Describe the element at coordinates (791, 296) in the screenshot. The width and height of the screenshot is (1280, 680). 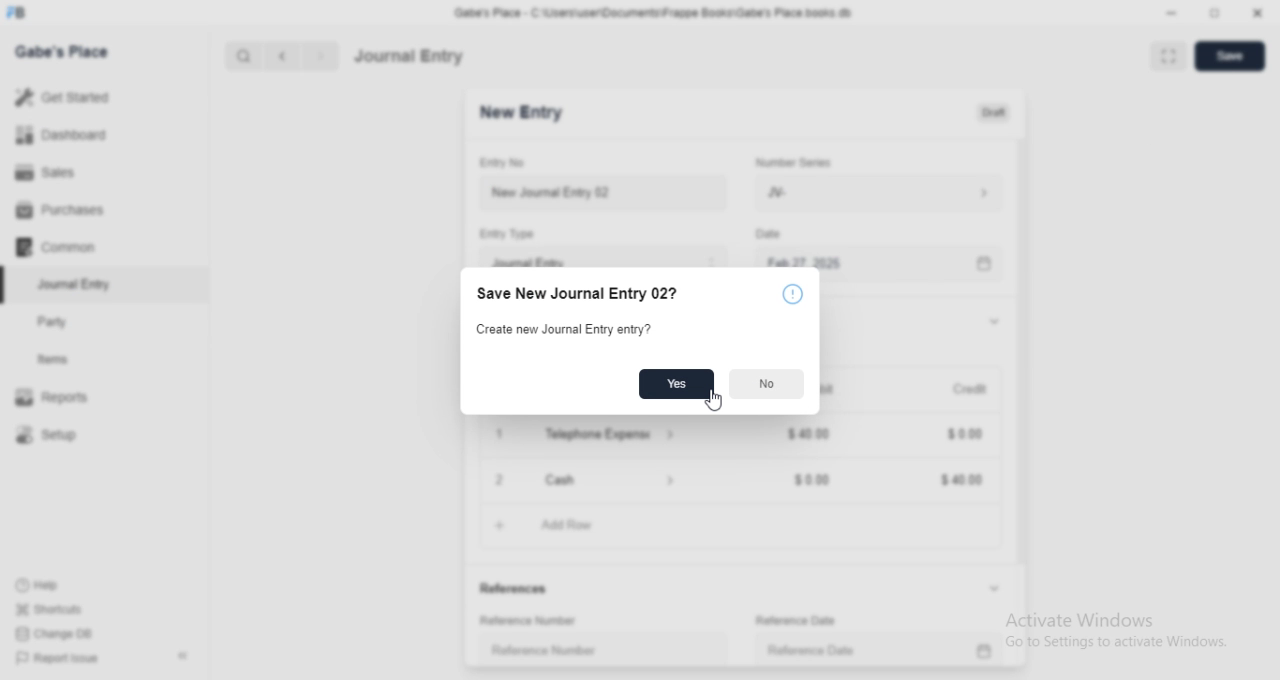
I see `Icon` at that location.